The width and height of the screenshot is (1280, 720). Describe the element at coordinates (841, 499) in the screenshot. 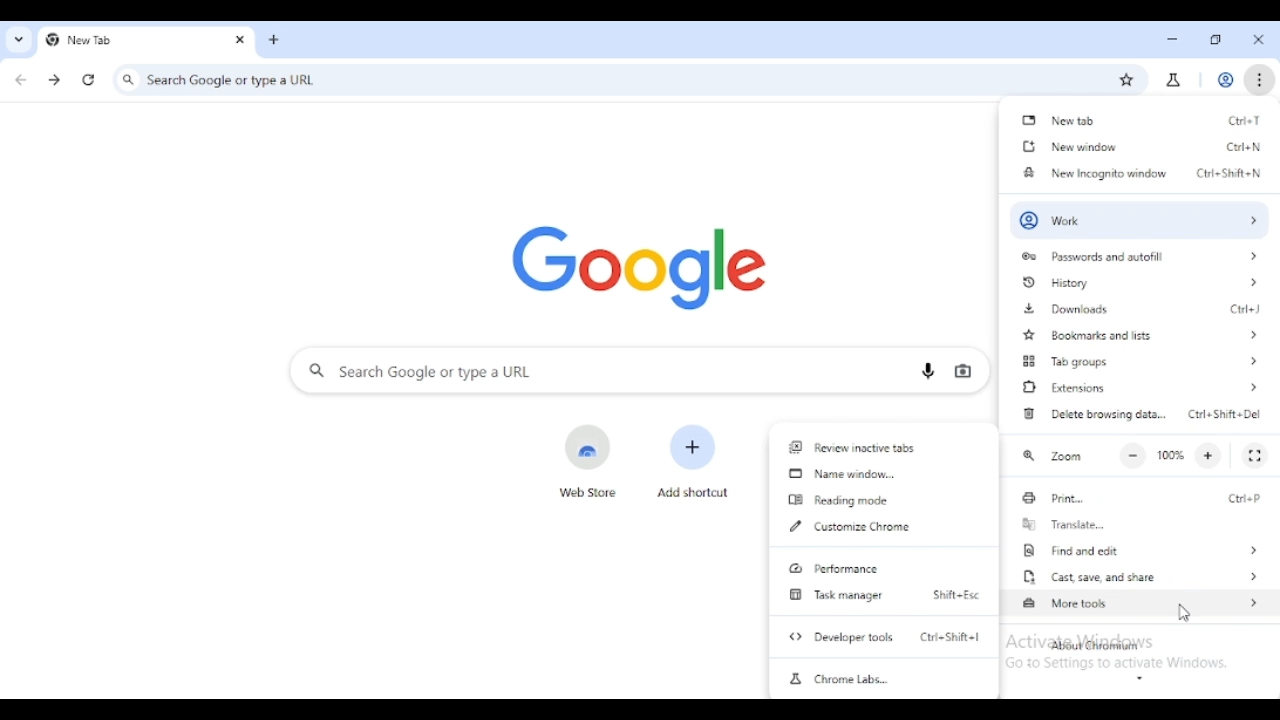

I see `reading mode` at that location.